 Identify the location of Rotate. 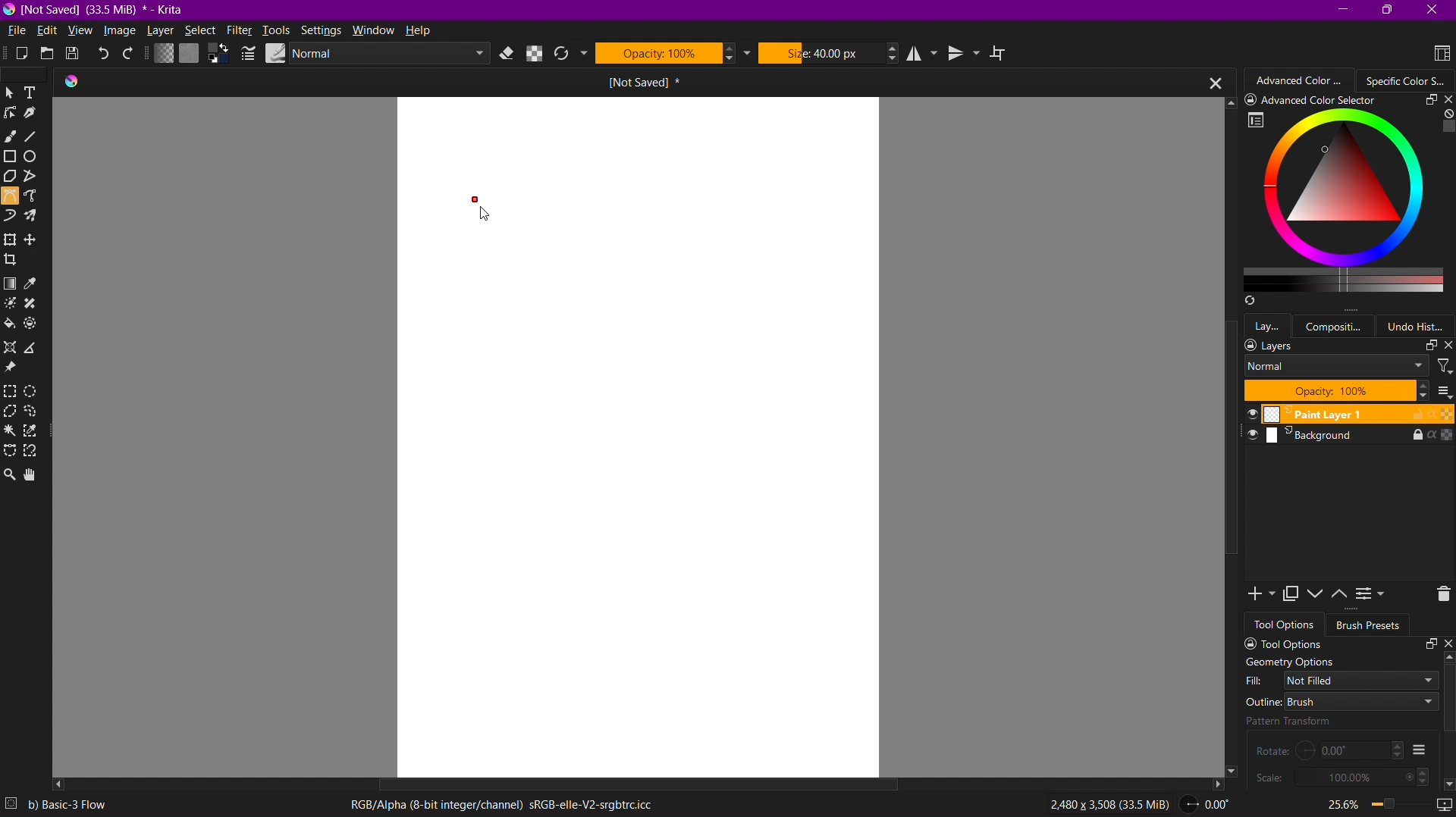
(1329, 750).